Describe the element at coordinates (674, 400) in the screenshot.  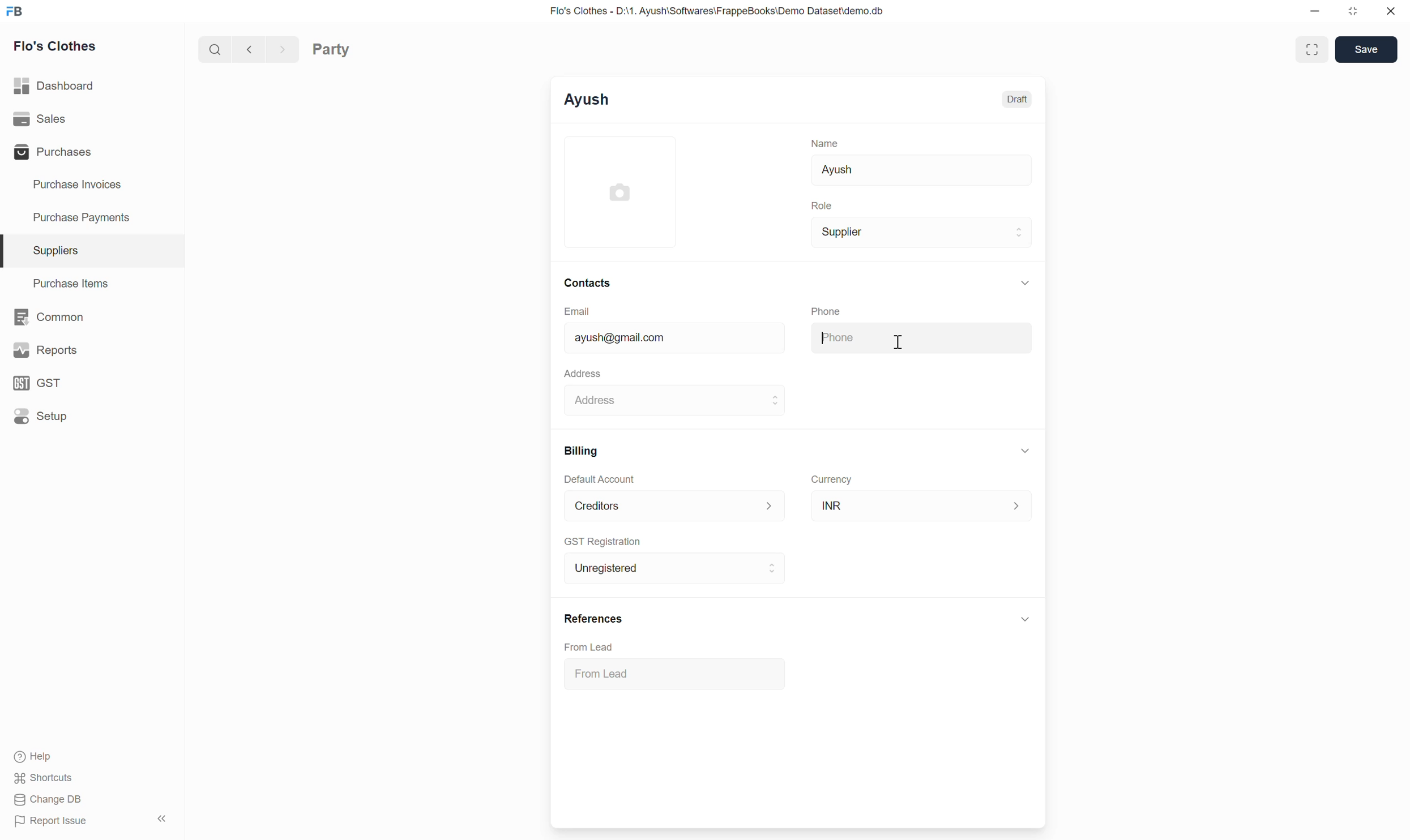
I see `Address` at that location.